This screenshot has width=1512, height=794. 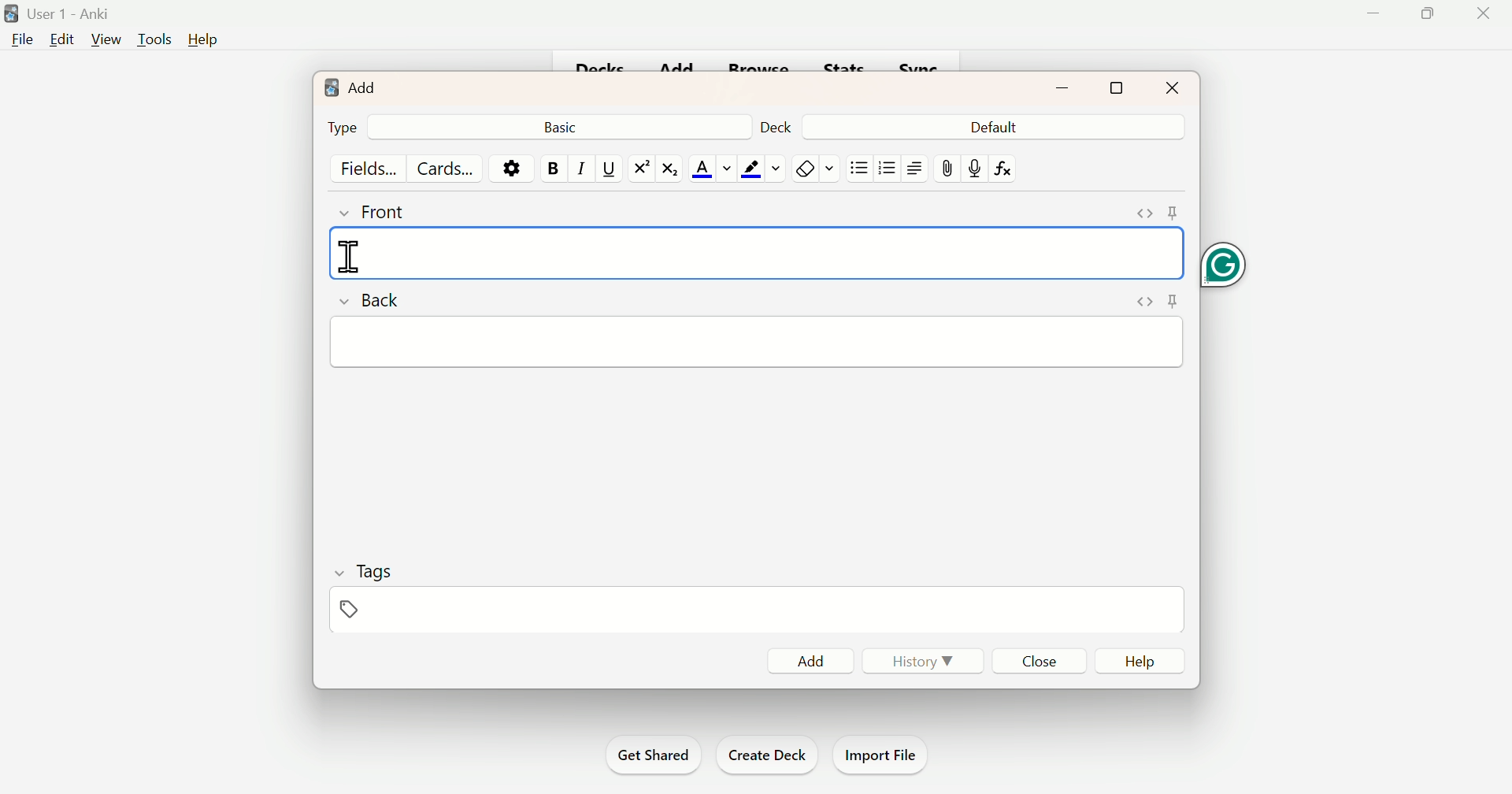 I want to click on Help, so click(x=203, y=36).